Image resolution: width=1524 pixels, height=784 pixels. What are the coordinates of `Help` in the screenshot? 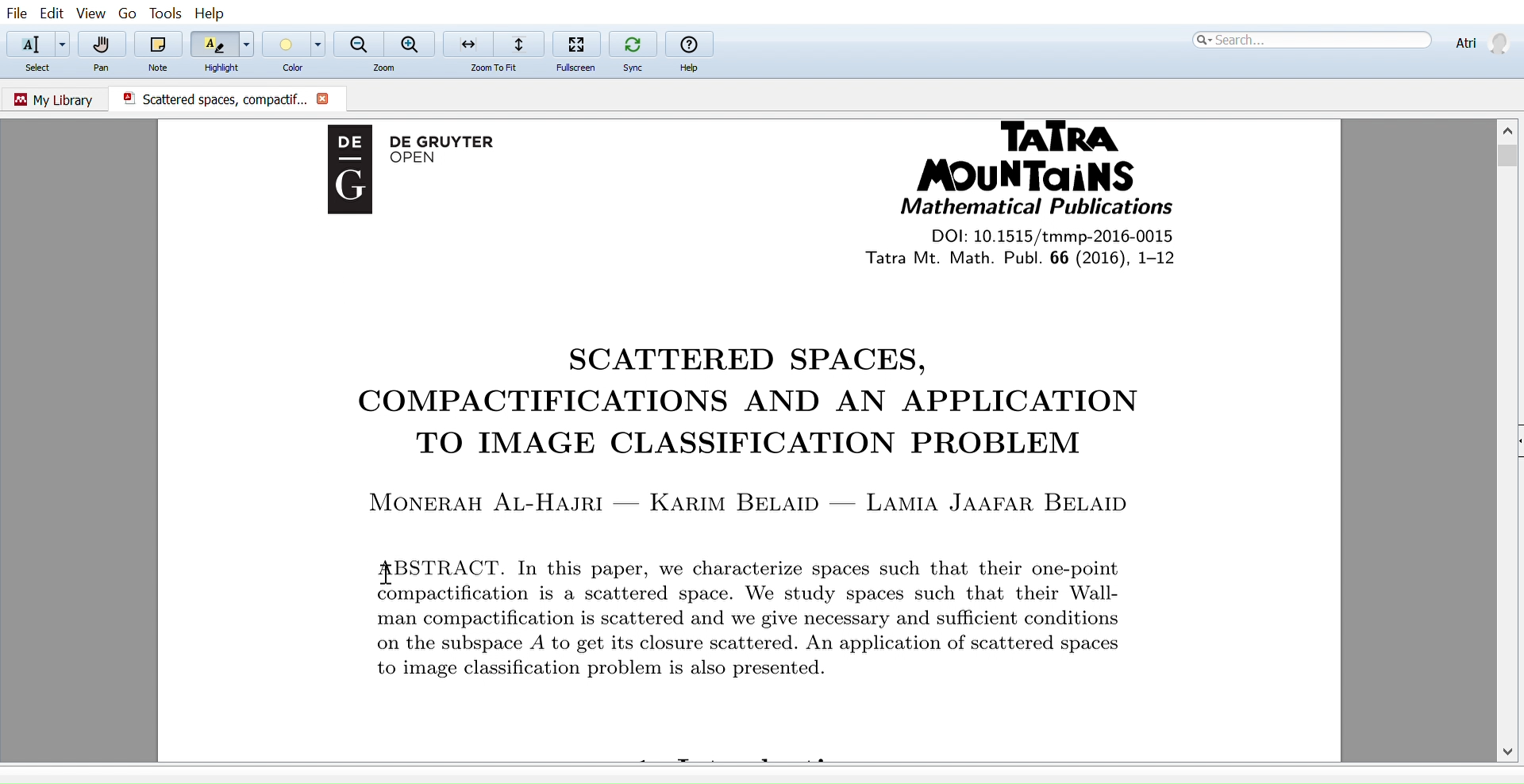 It's located at (214, 13).